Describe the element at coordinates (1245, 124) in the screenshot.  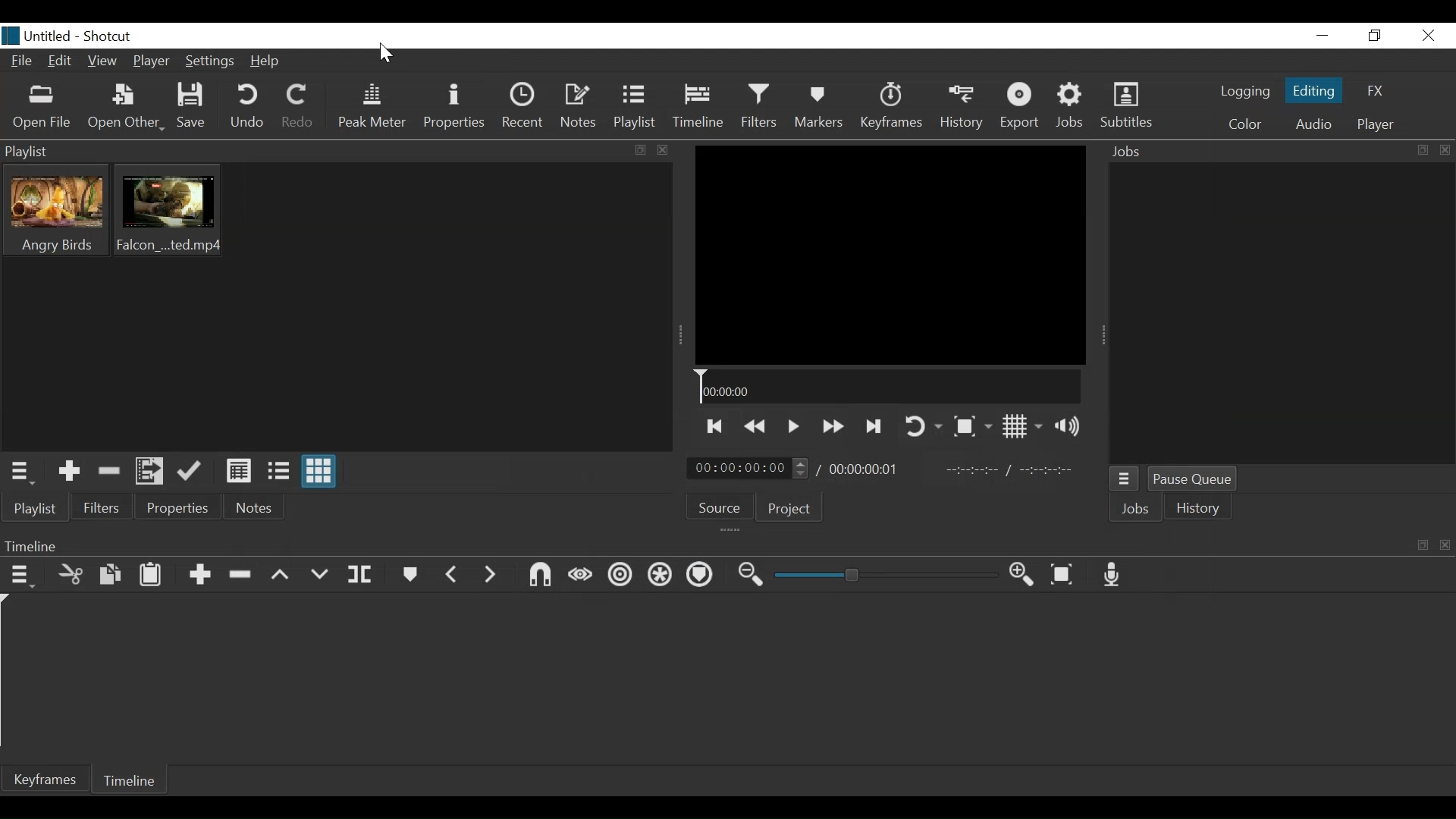
I see `Color` at that location.